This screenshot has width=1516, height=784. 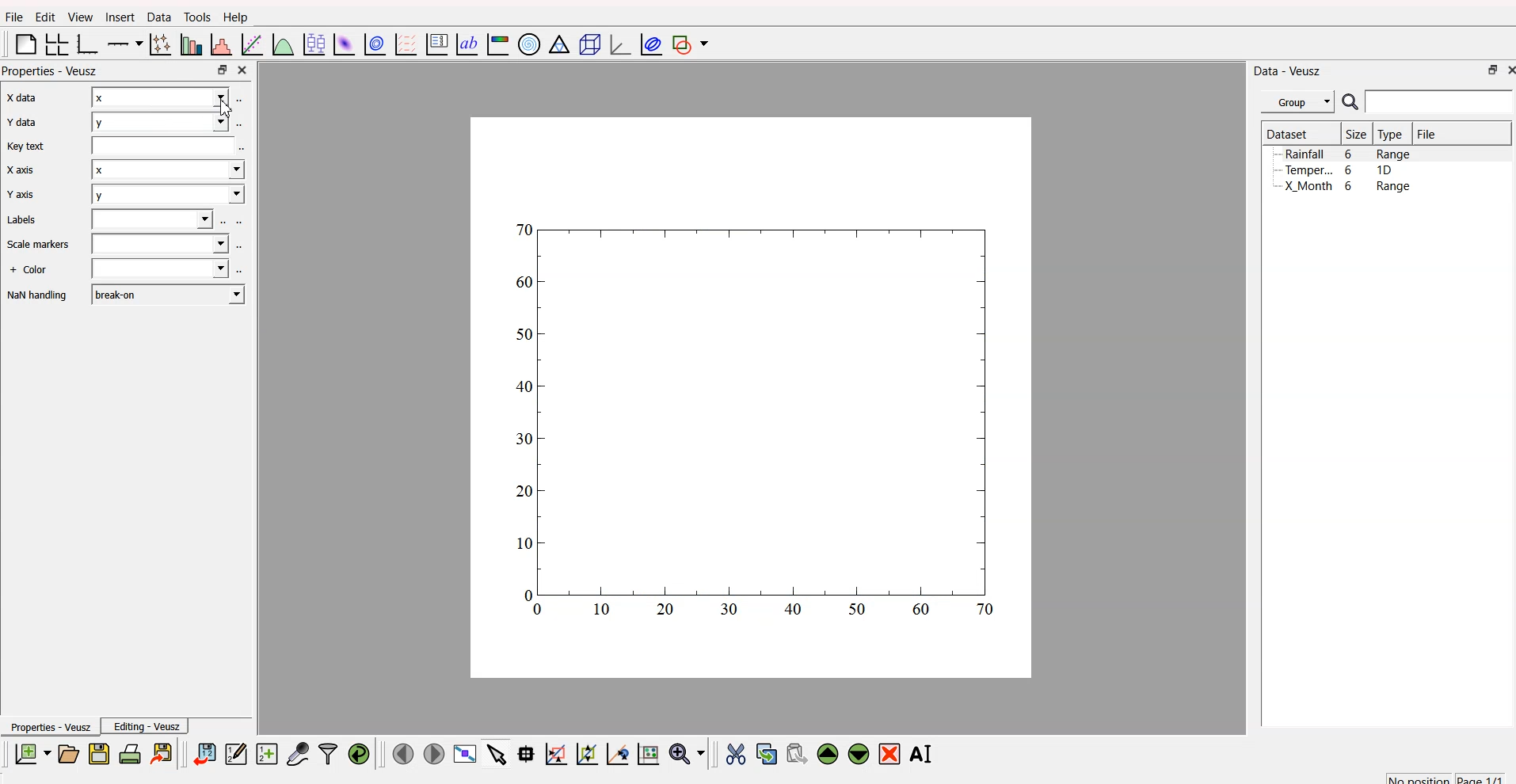 What do you see at coordinates (162, 122) in the screenshot?
I see `y` at bounding box center [162, 122].